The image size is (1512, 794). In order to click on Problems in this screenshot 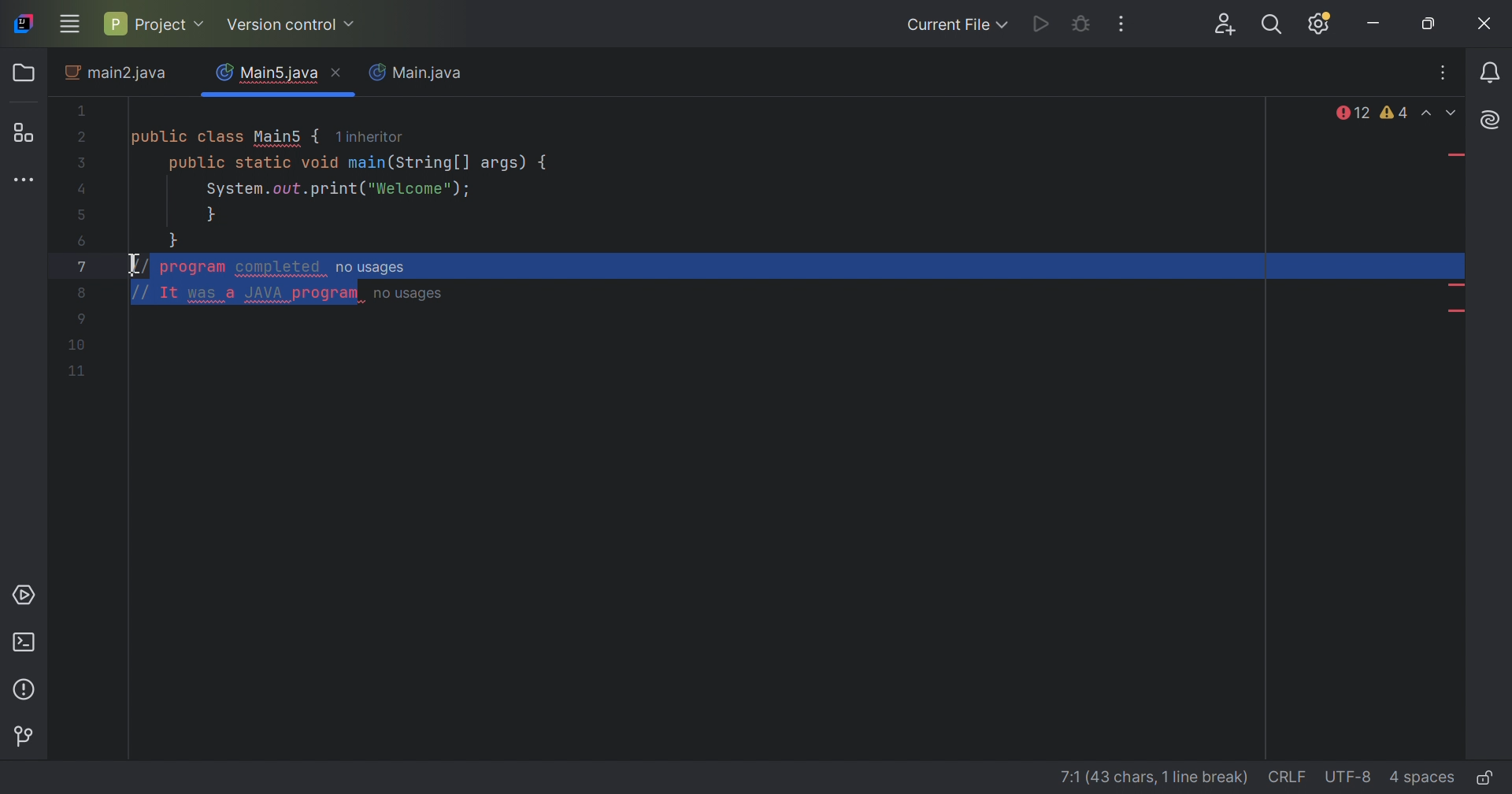, I will do `click(26, 688)`.